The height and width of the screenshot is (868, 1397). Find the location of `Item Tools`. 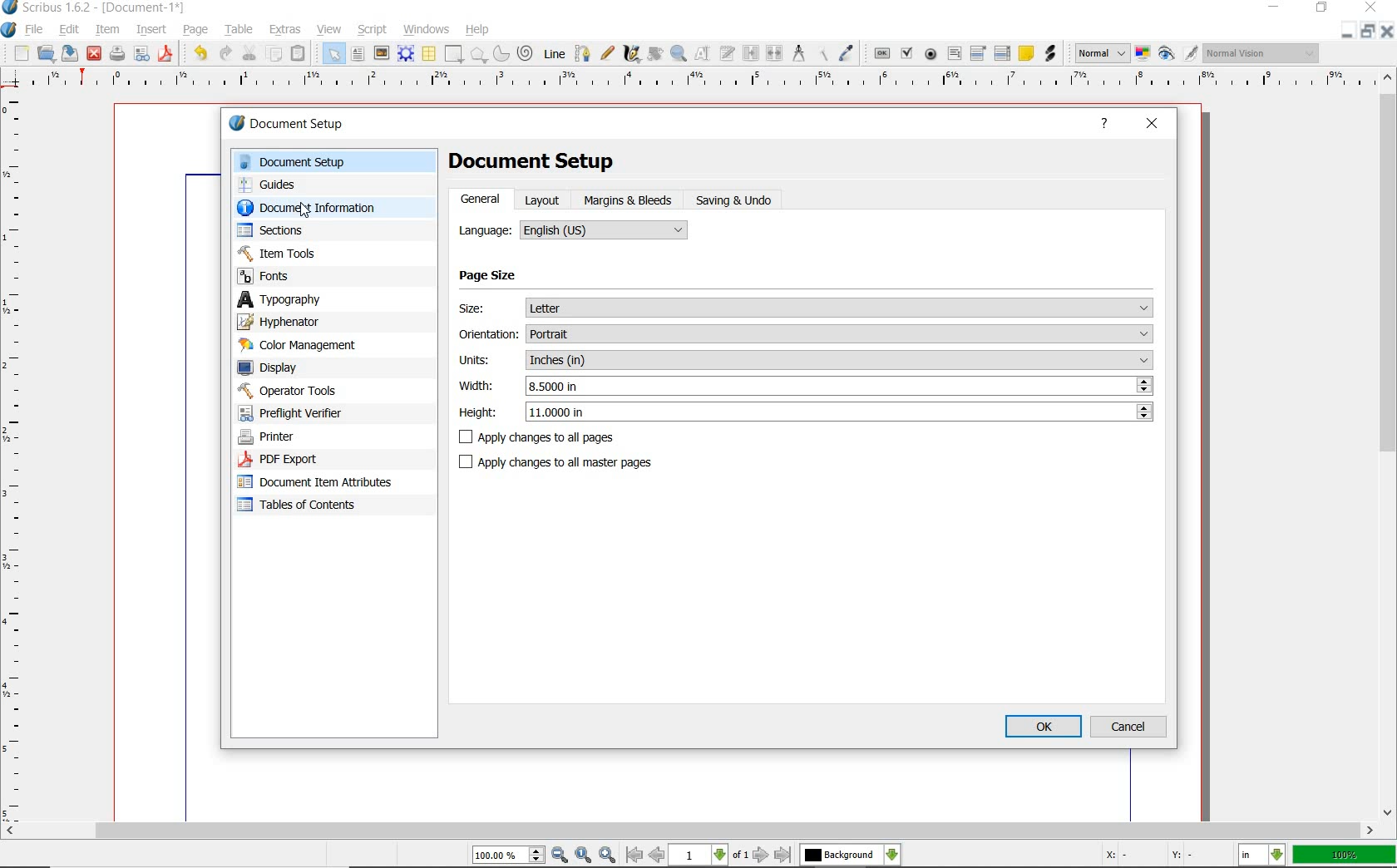

Item Tools is located at coordinates (315, 253).